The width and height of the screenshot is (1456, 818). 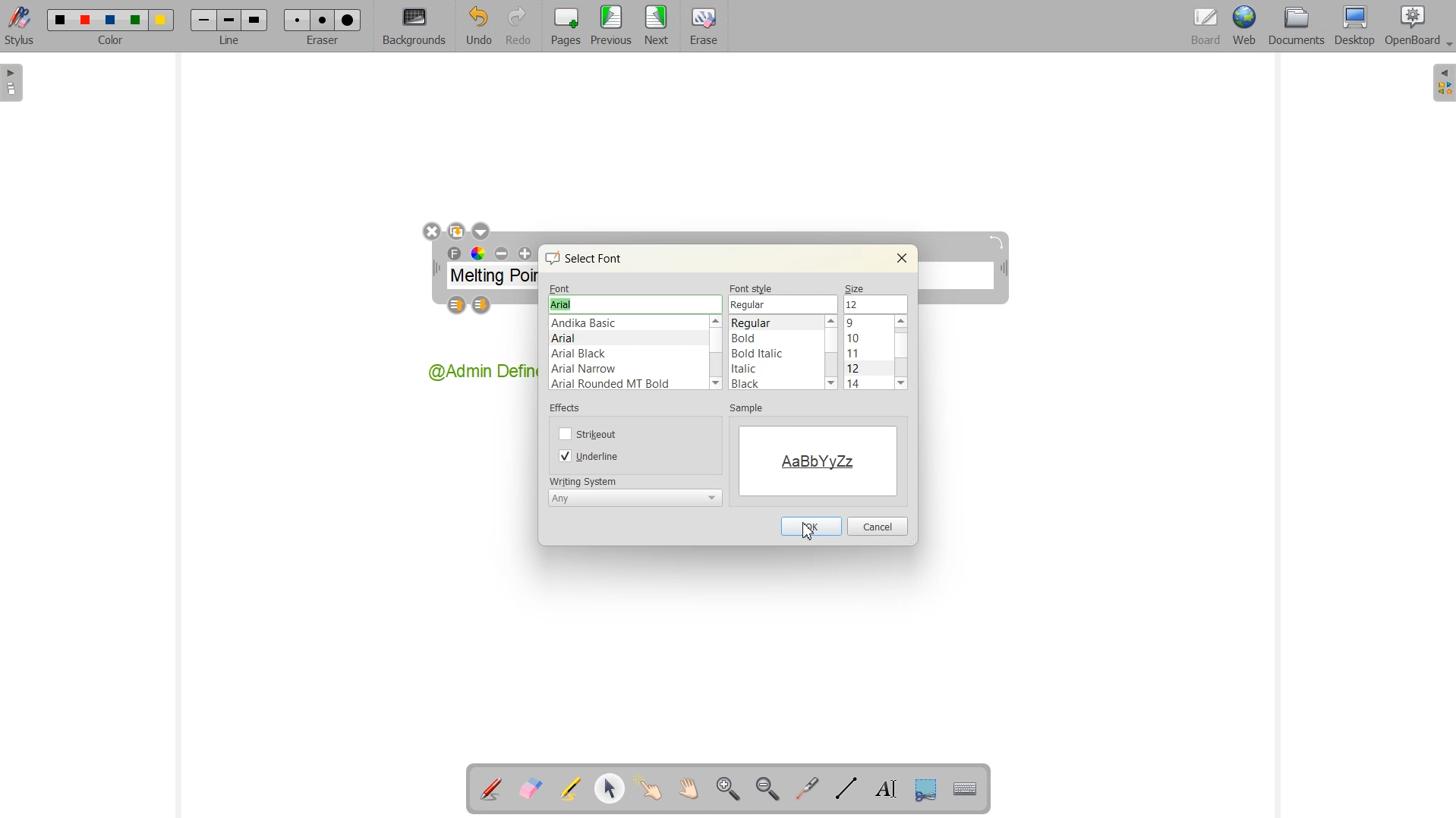 I want to click on Text Color, so click(x=477, y=253).